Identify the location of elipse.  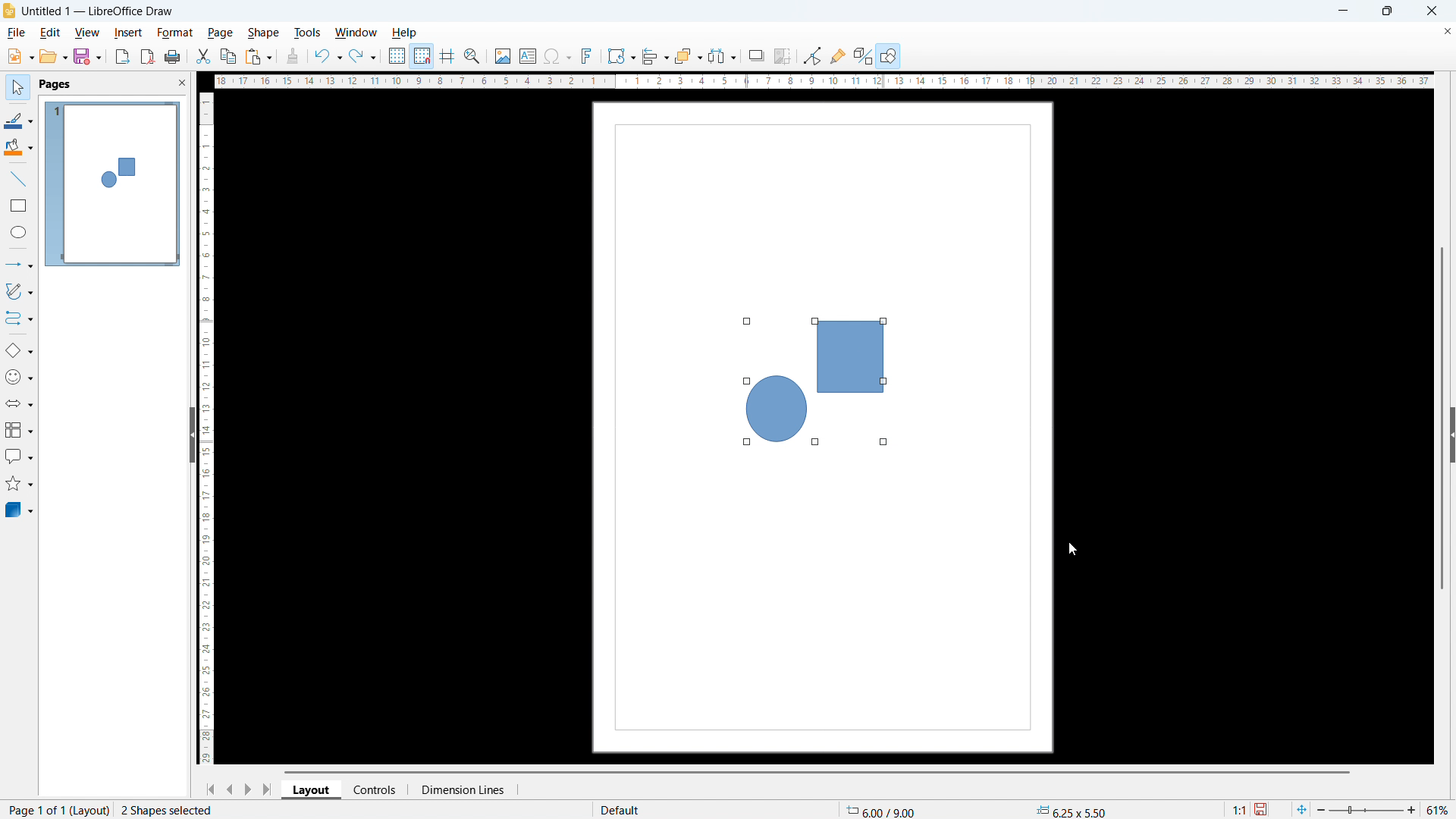
(20, 231).